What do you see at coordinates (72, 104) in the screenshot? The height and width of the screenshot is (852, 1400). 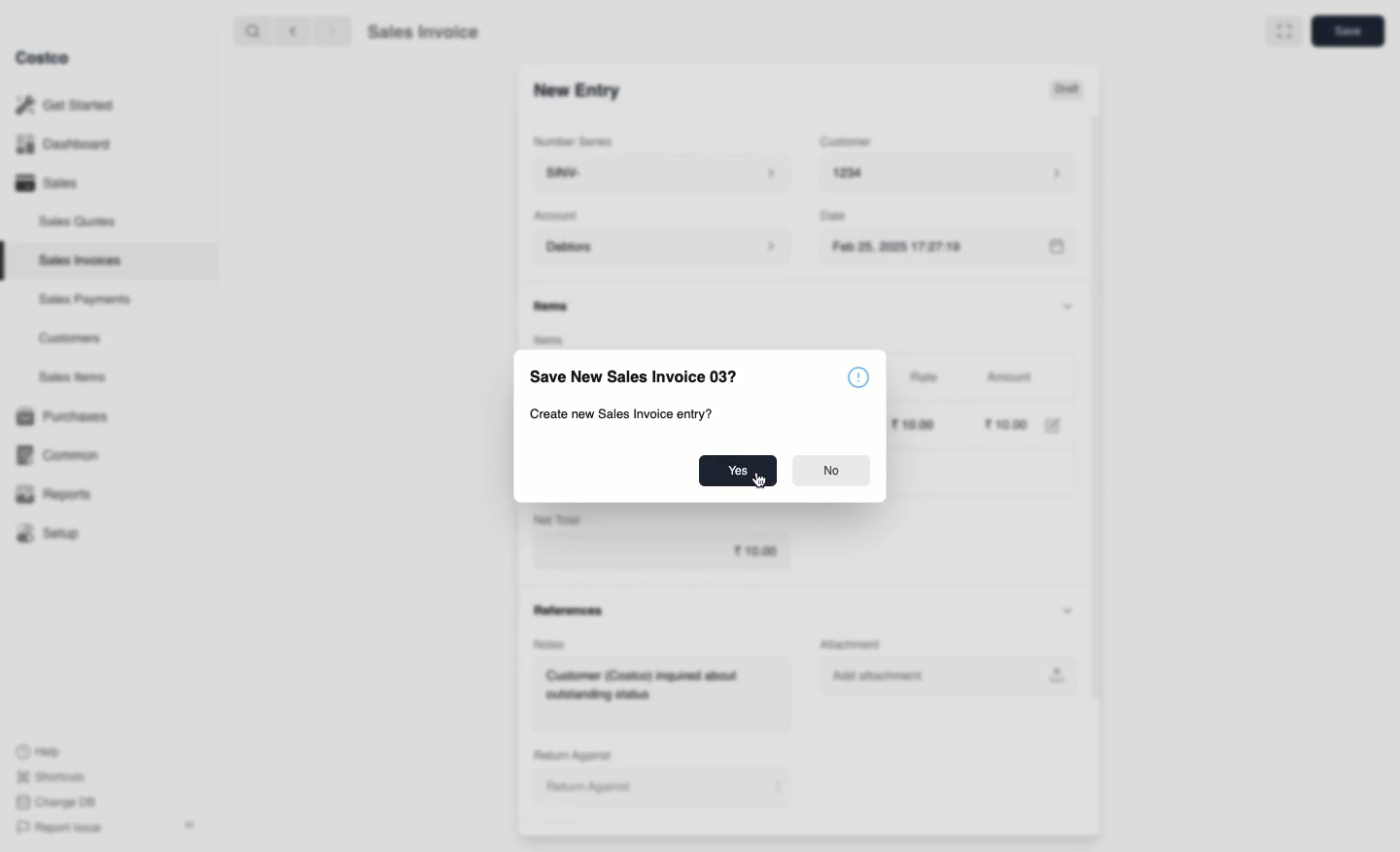 I see `Get Started` at bounding box center [72, 104].